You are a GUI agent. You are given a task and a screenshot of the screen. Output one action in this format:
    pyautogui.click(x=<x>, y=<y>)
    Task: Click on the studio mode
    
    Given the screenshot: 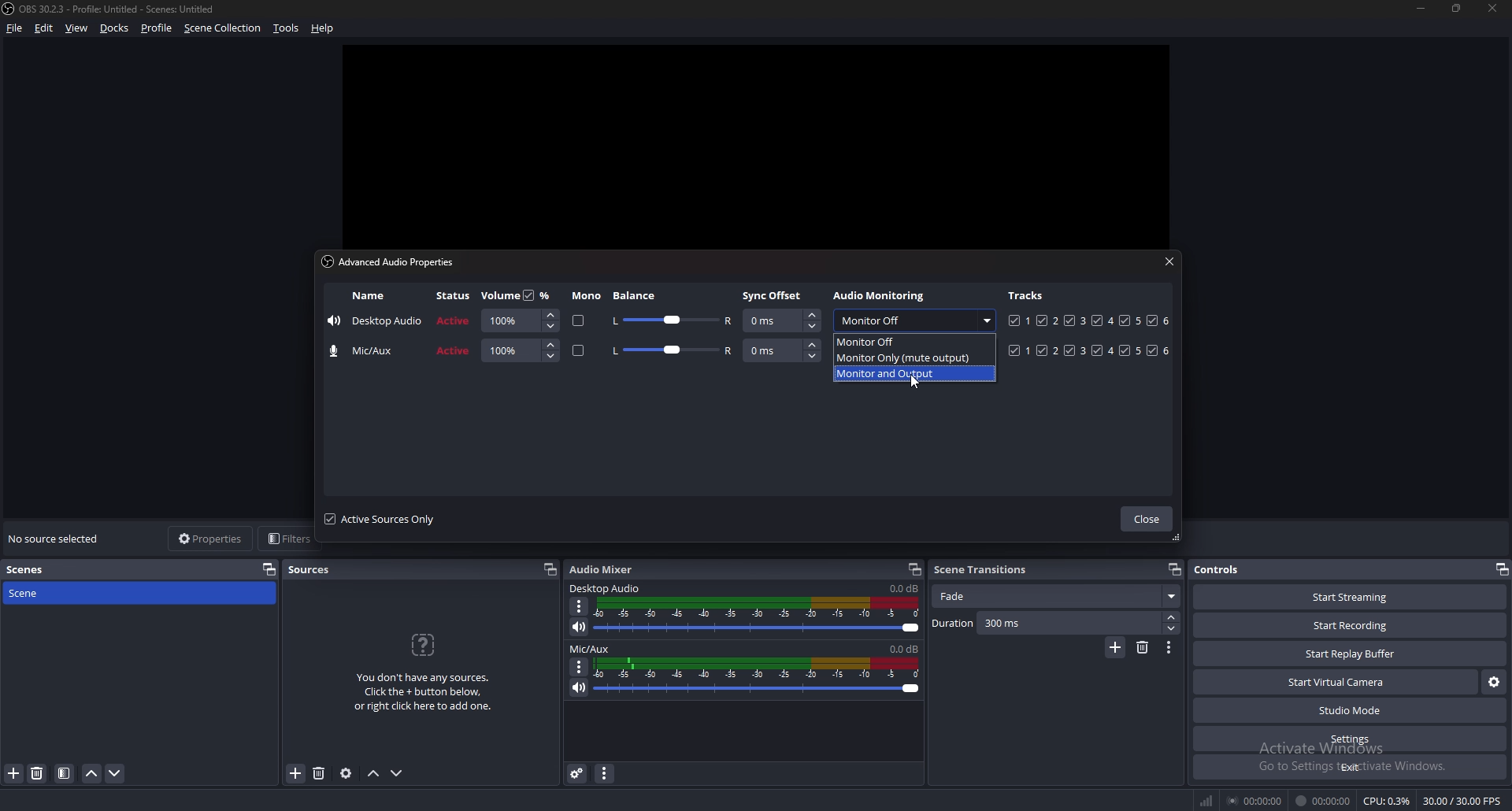 What is the action you would take?
    pyautogui.click(x=1349, y=711)
    